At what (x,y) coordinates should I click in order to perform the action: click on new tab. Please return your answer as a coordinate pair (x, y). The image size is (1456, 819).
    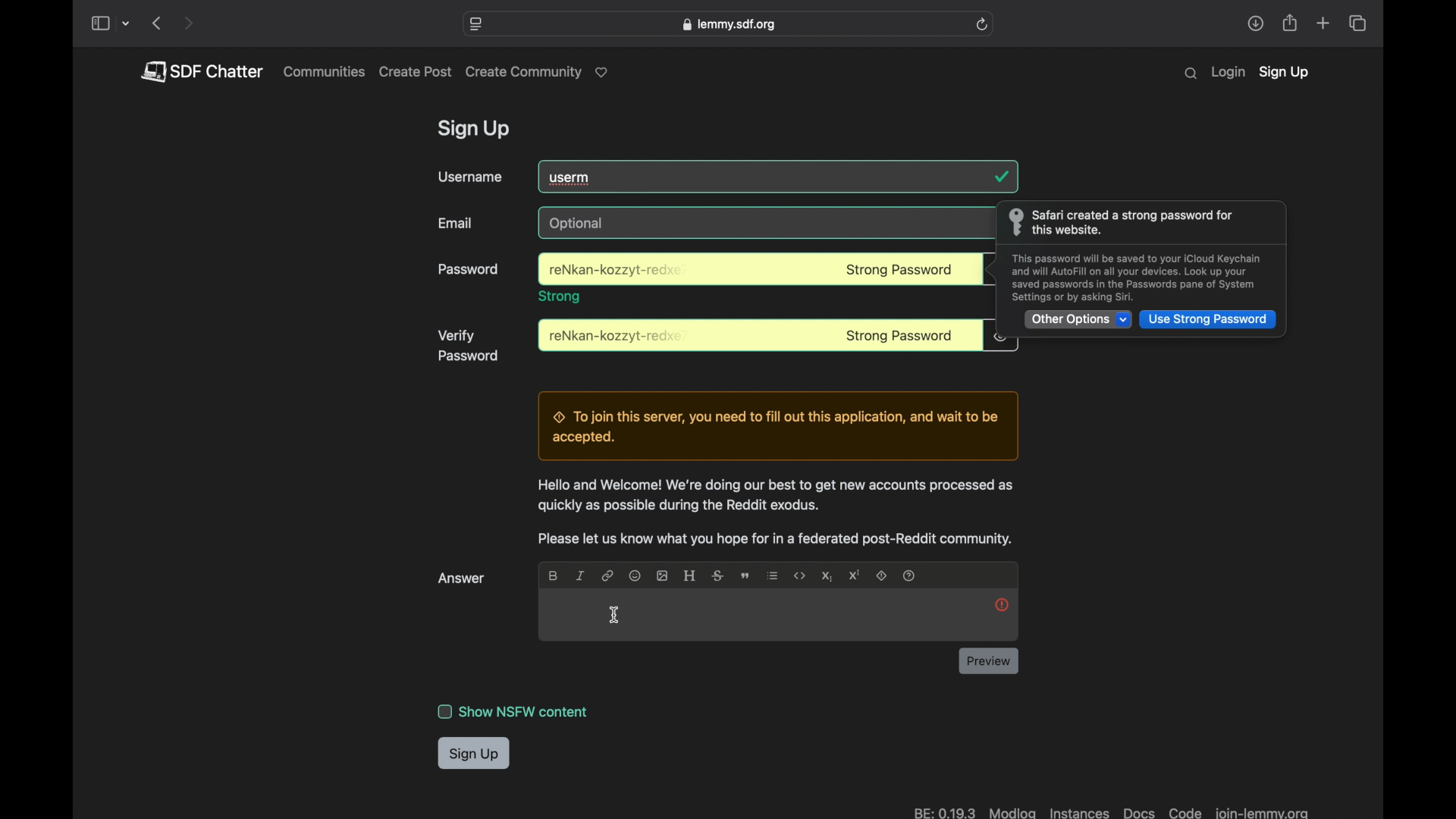
    Looking at the image, I should click on (1324, 23).